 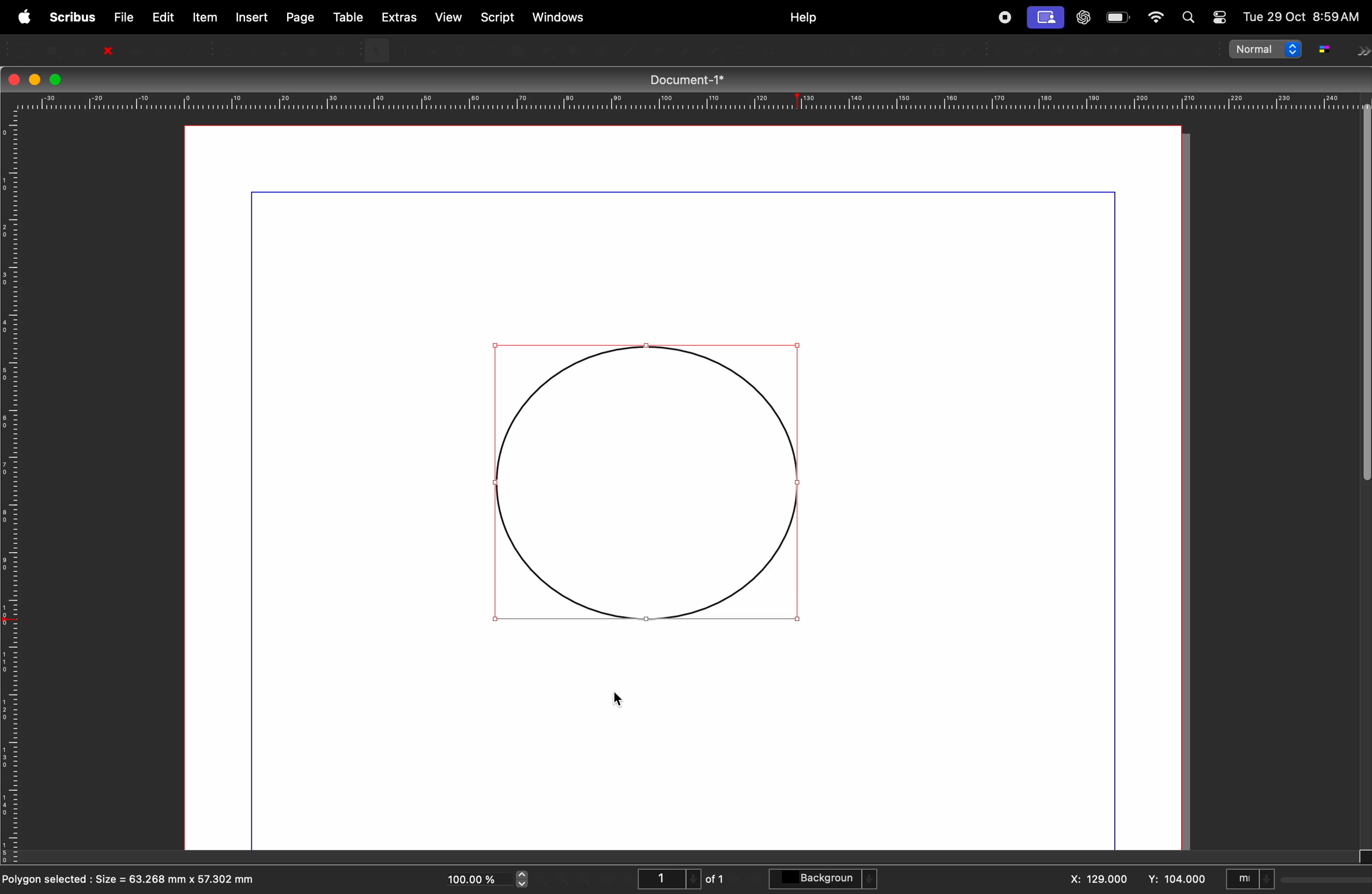 What do you see at coordinates (25, 48) in the screenshot?
I see `new` at bounding box center [25, 48].